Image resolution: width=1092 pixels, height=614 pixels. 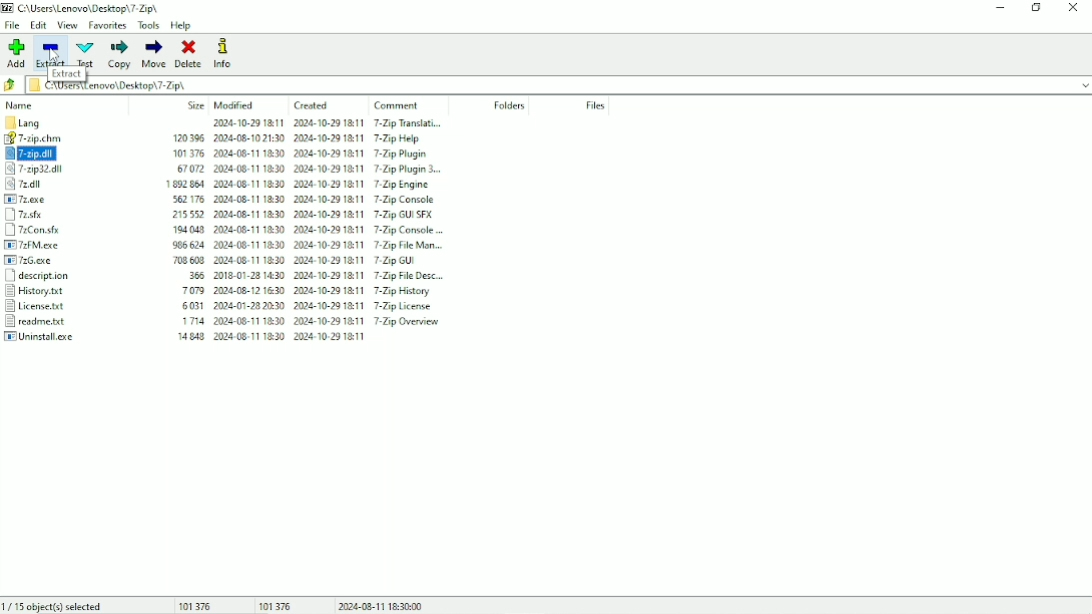 I want to click on Help, so click(x=182, y=26).